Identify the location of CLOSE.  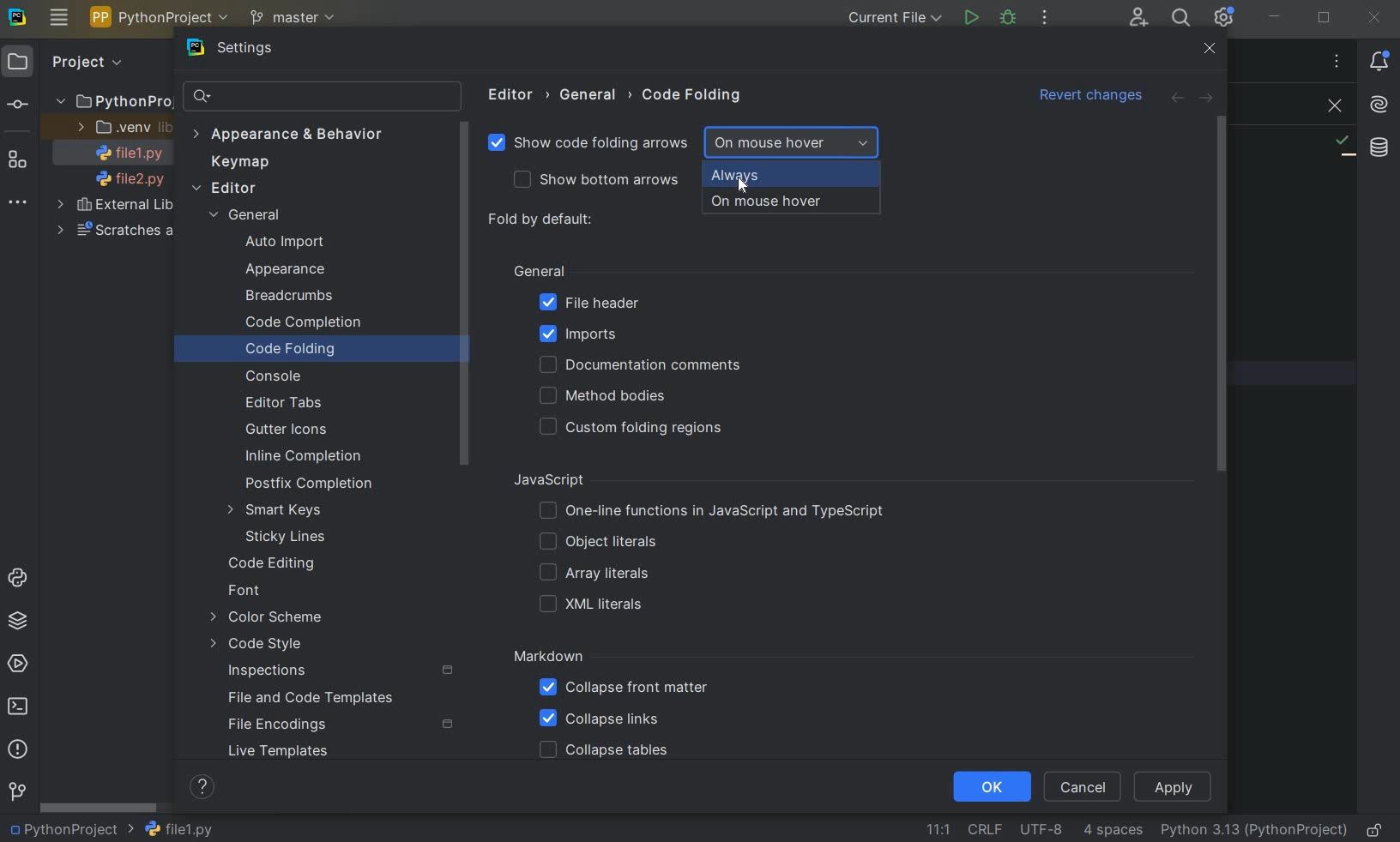
(1210, 49).